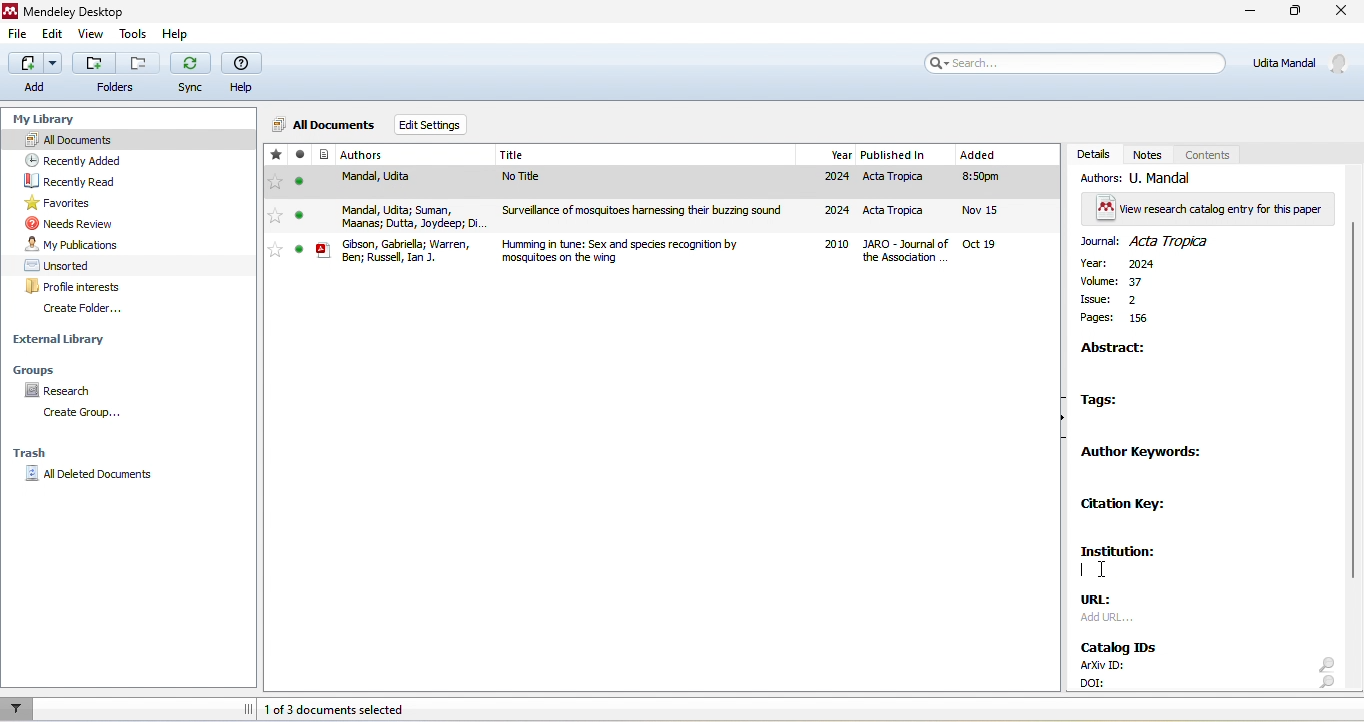  Describe the element at coordinates (834, 211) in the screenshot. I see `2024` at that location.